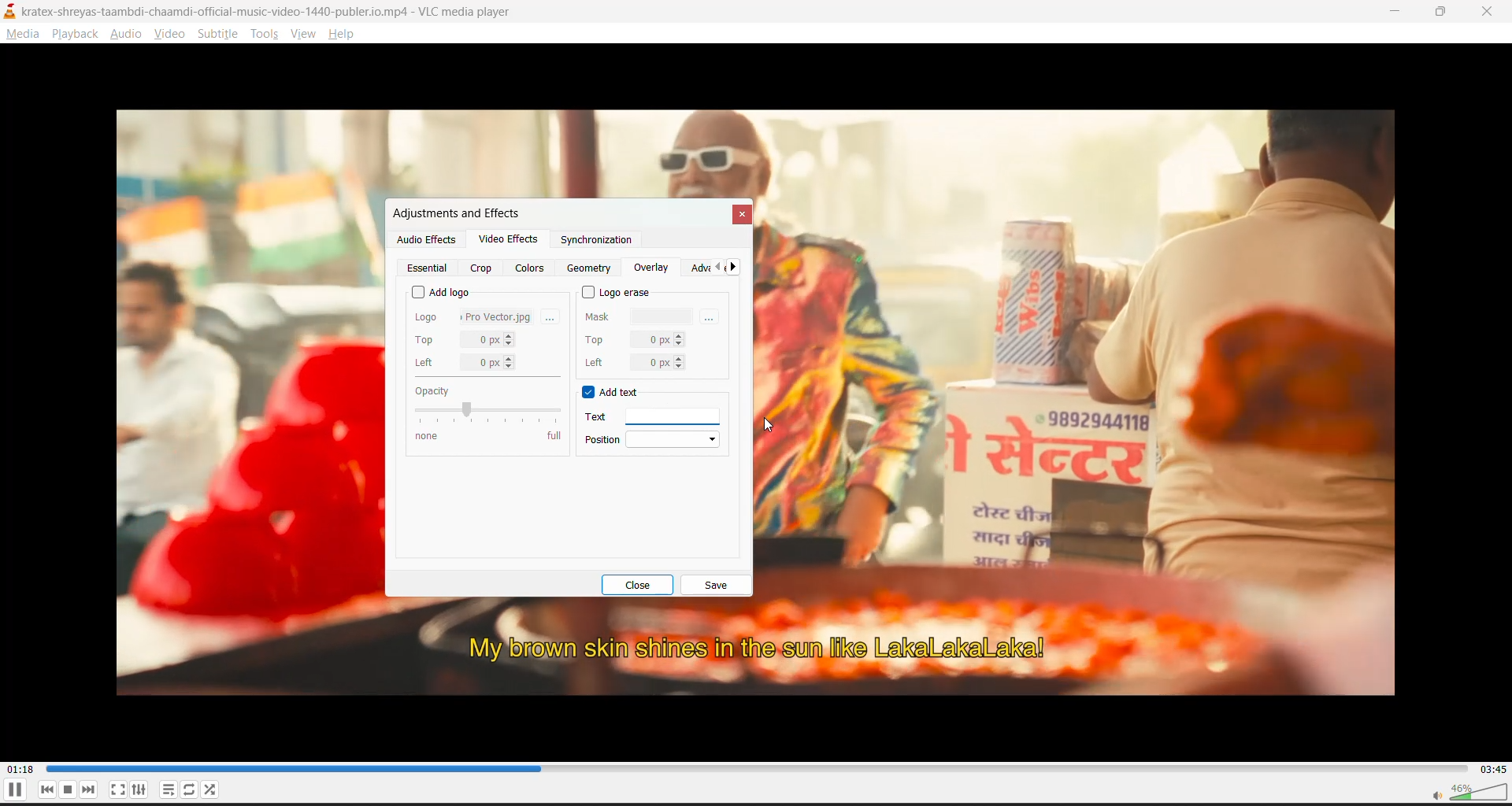 Image resolution: width=1512 pixels, height=806 pixels. What do you see at coordinates (1492, 768) in the screenshot?
I see `total track time` at bounding box center [1492, 768].